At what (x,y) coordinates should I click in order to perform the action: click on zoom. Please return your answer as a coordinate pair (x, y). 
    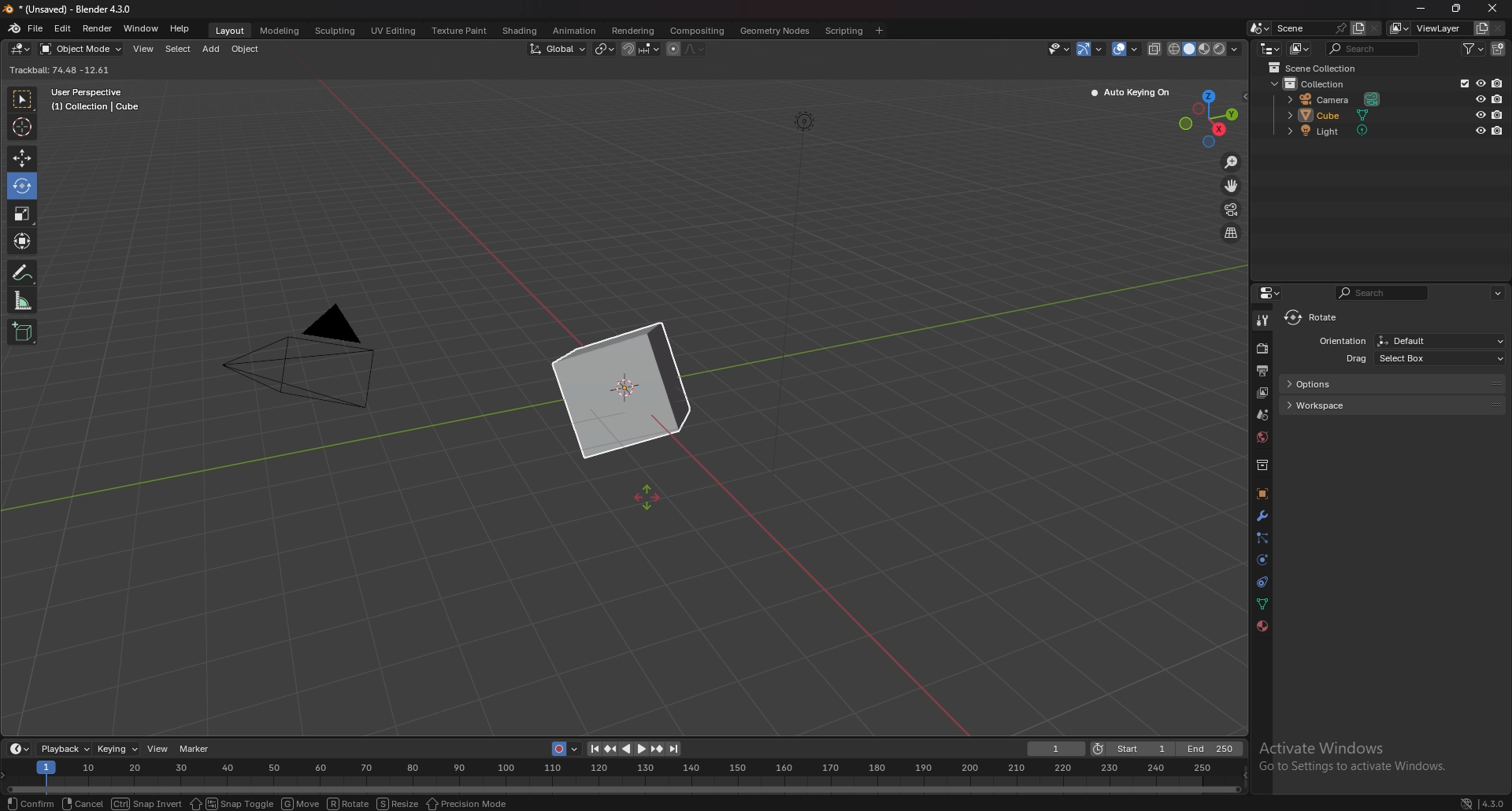
    Looking at the image, I should click on (1232, 162).